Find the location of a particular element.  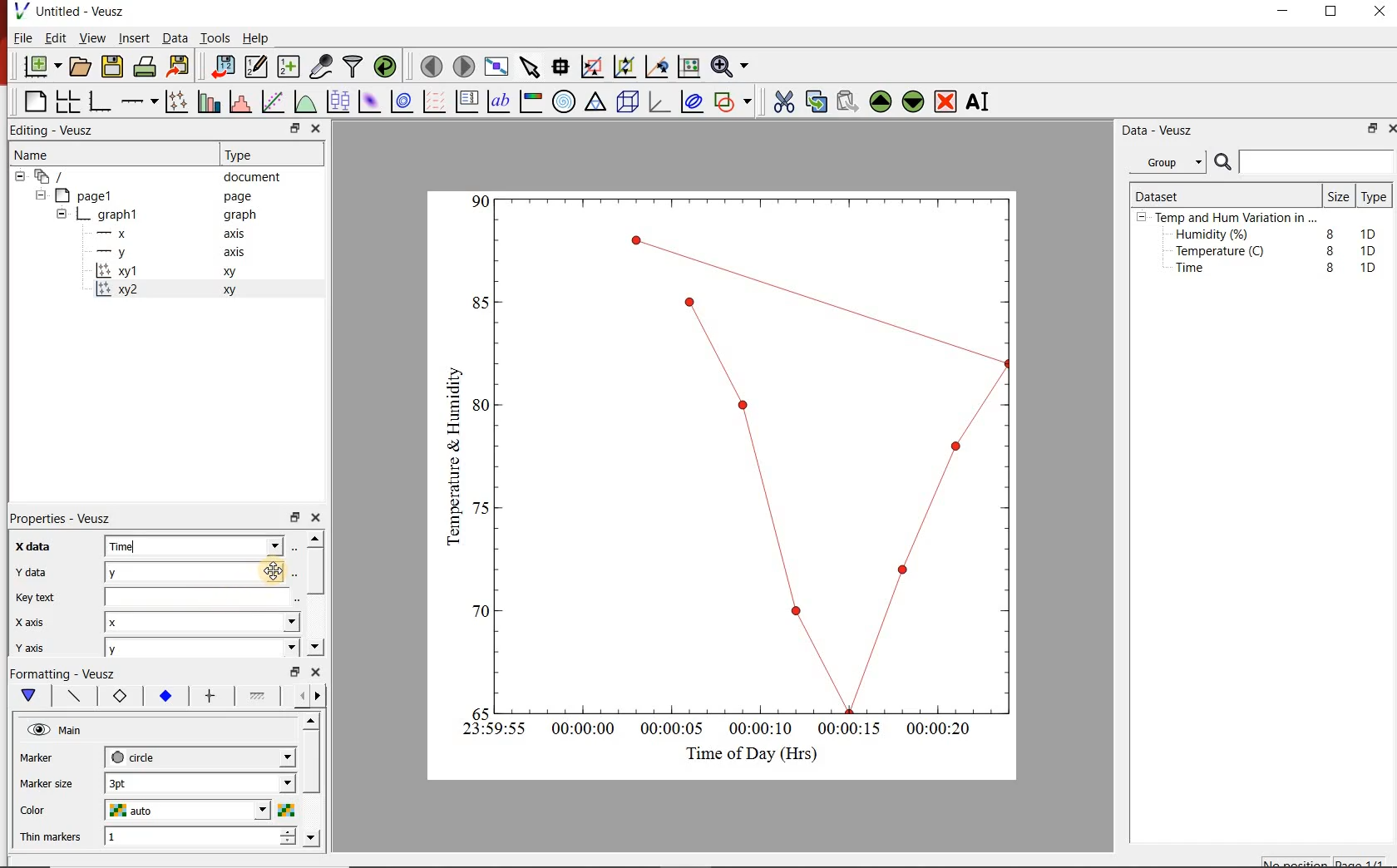

scroll bar is located at coordinates (313, 778).